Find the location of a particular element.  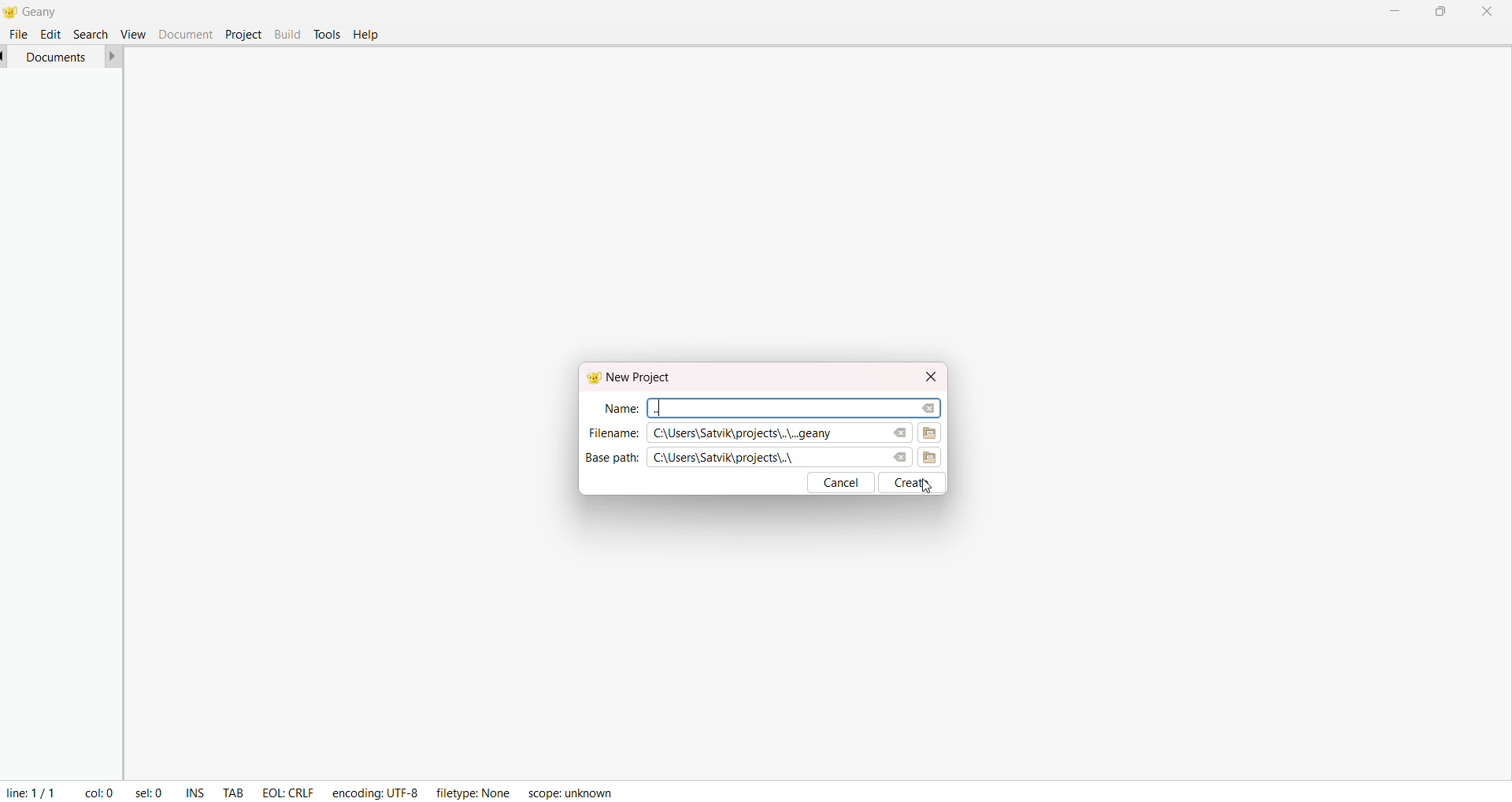

edit is located at coordinates (51, 33).